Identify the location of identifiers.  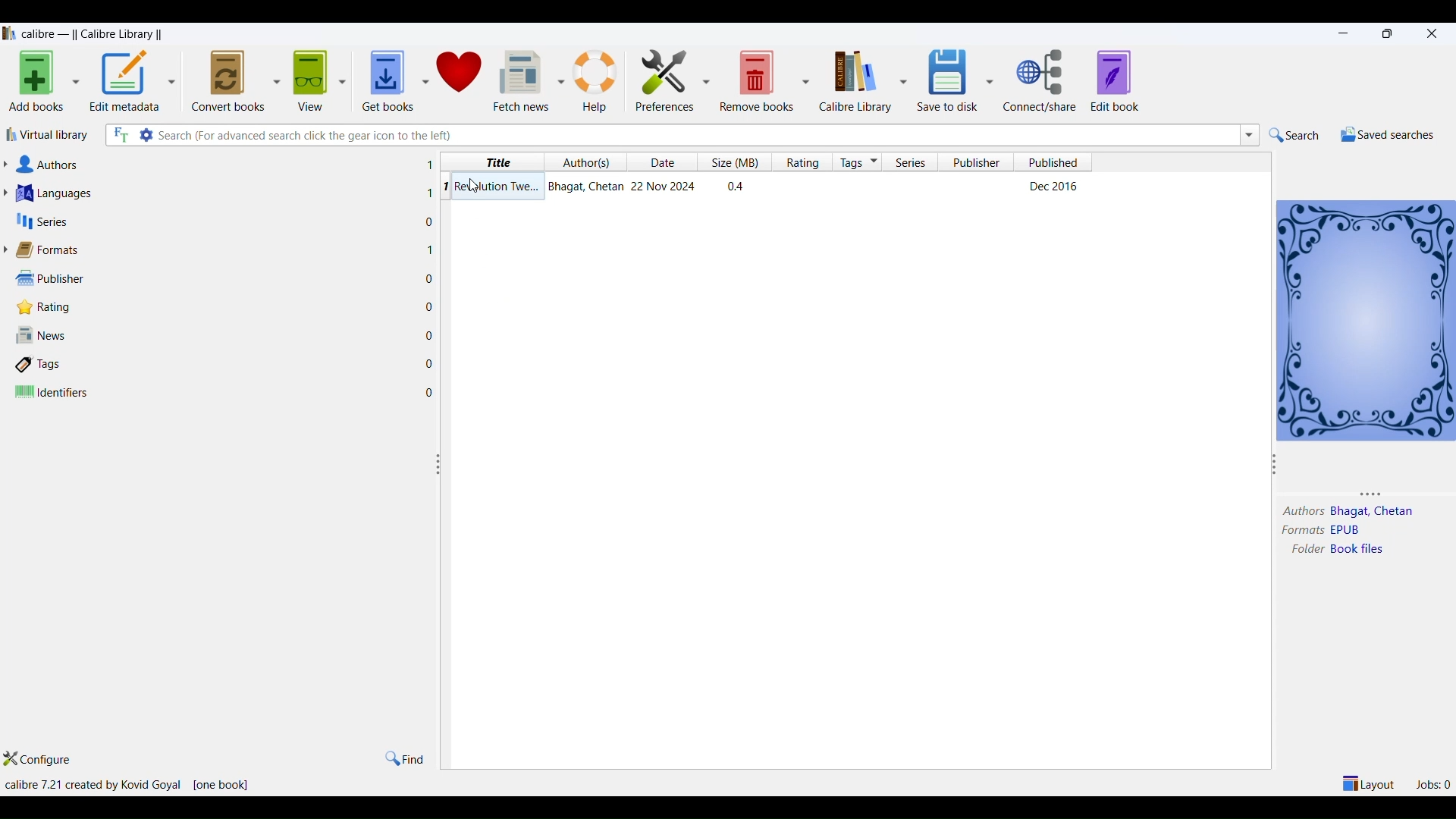
(53, 393).